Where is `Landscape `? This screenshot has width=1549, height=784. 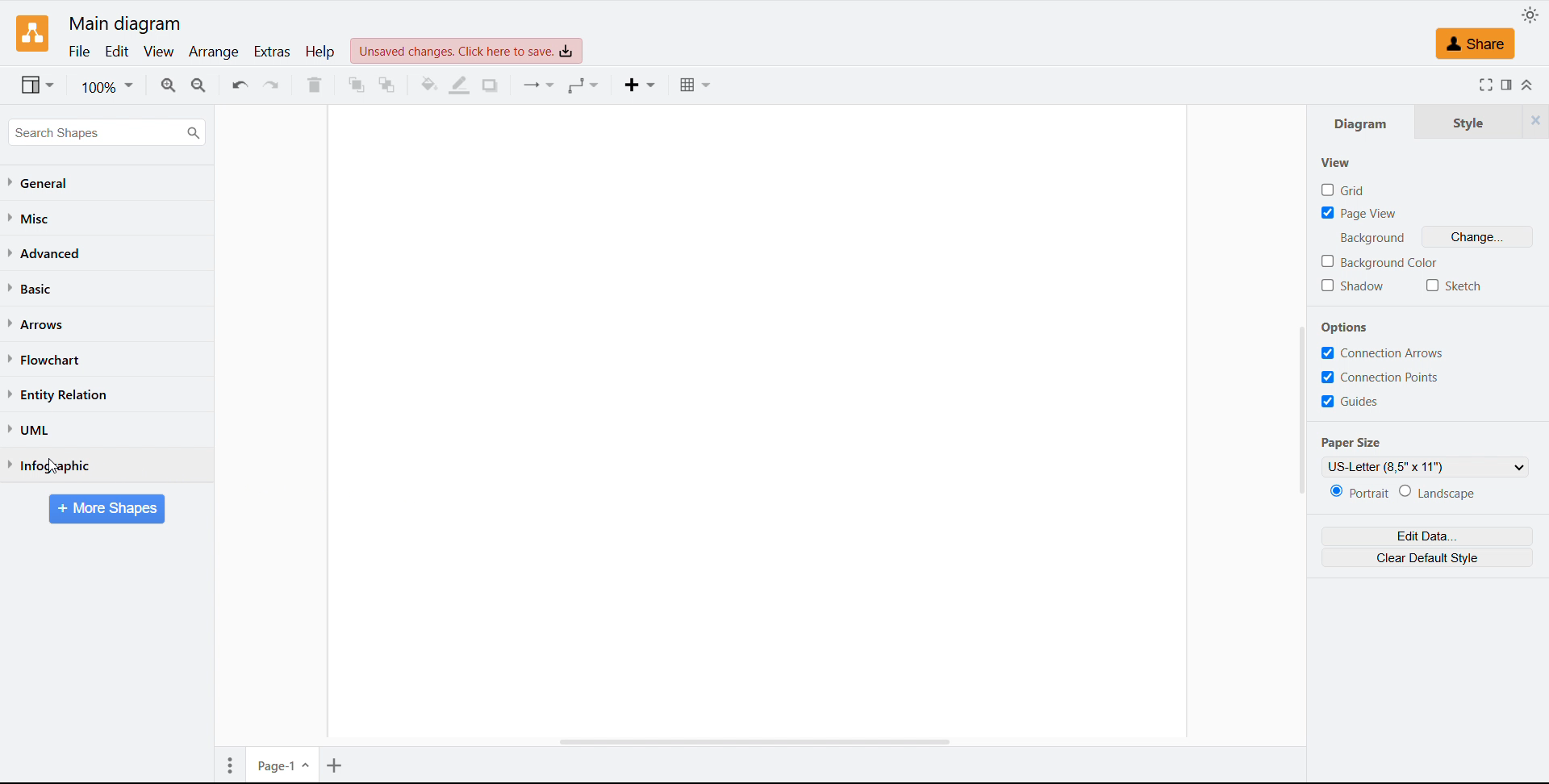 Landscape  is located at coordinates (1437, 493).